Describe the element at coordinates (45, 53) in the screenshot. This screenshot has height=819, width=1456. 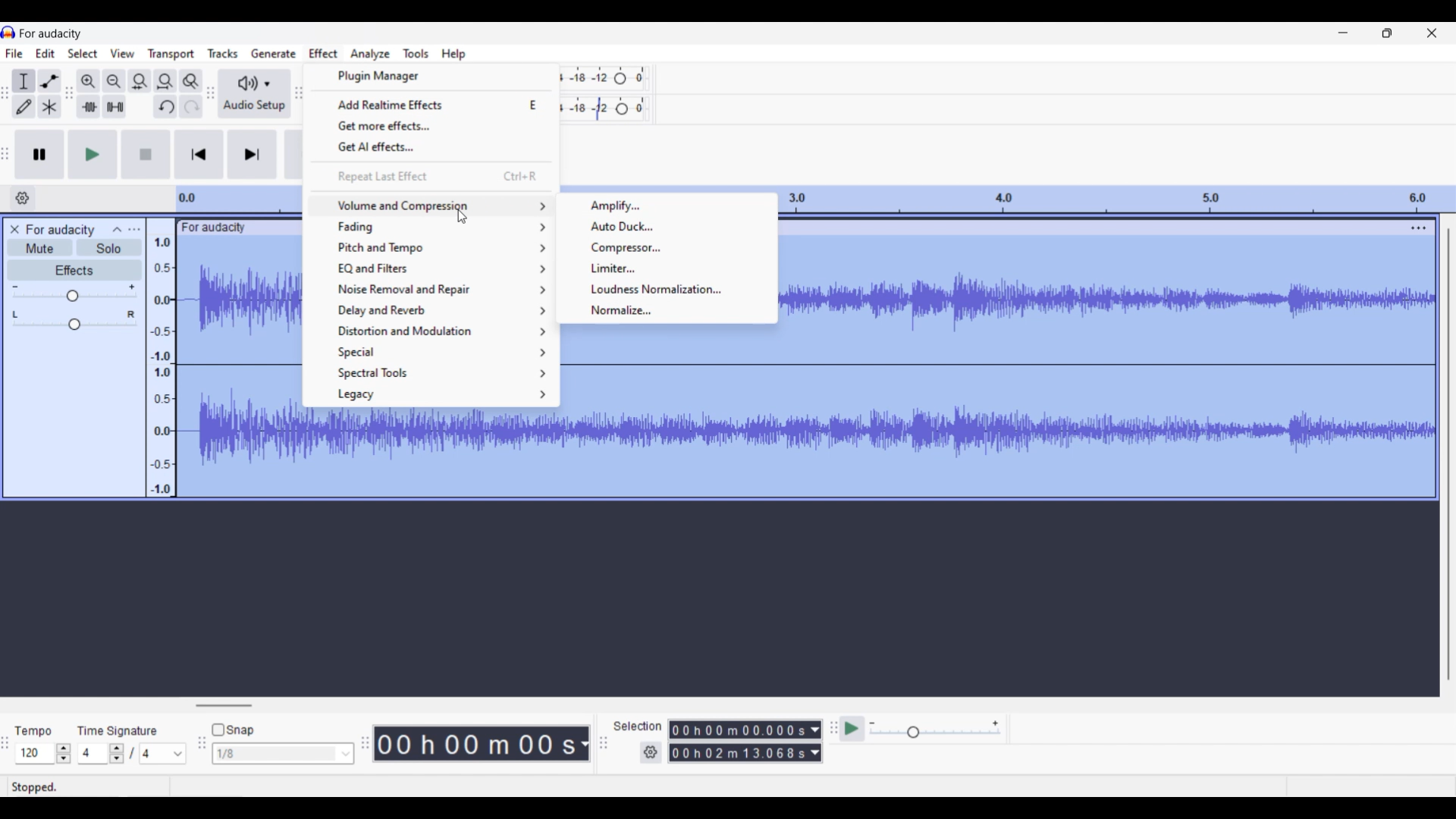
I see `Edit menu` at that location.